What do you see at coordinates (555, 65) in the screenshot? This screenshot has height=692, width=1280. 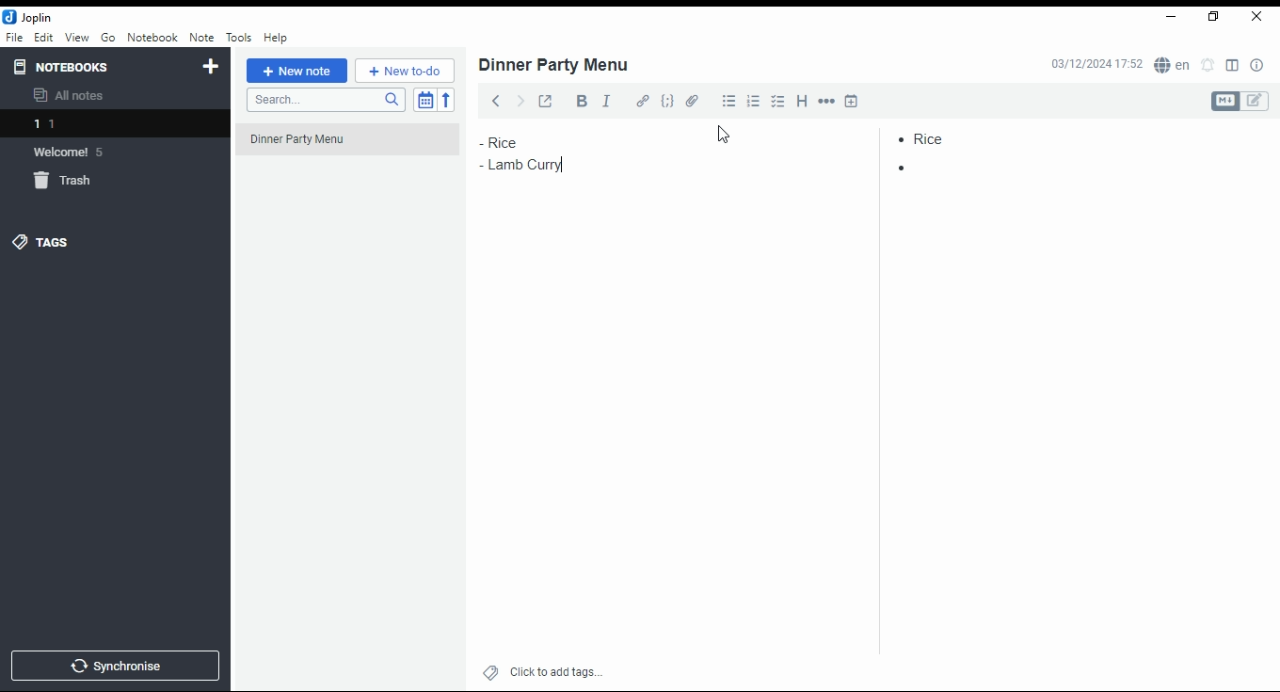 I see `dinner party menu` at bounding box center [555, 65].